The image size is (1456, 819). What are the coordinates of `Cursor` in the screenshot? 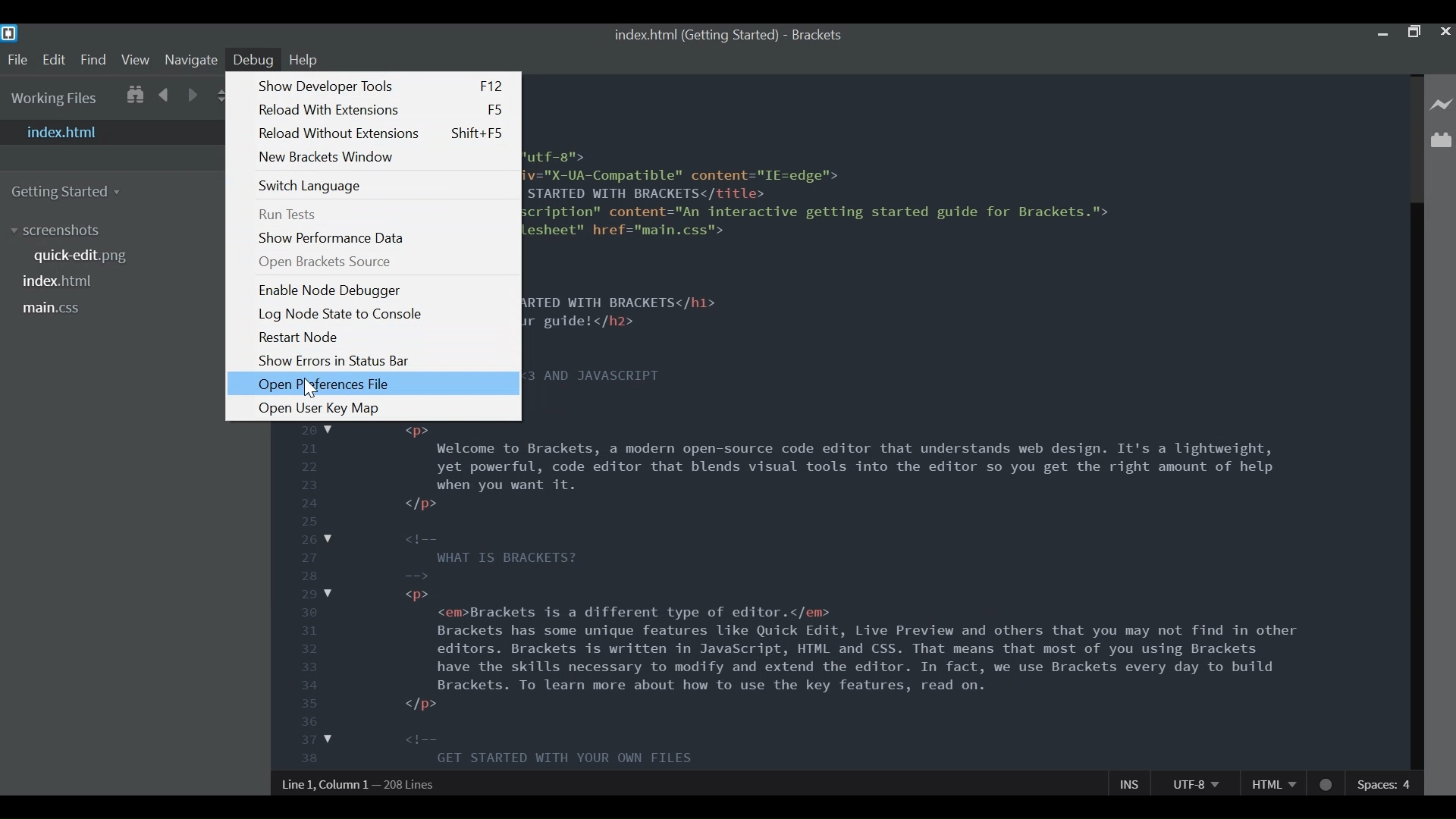 It's located at (310, 387).